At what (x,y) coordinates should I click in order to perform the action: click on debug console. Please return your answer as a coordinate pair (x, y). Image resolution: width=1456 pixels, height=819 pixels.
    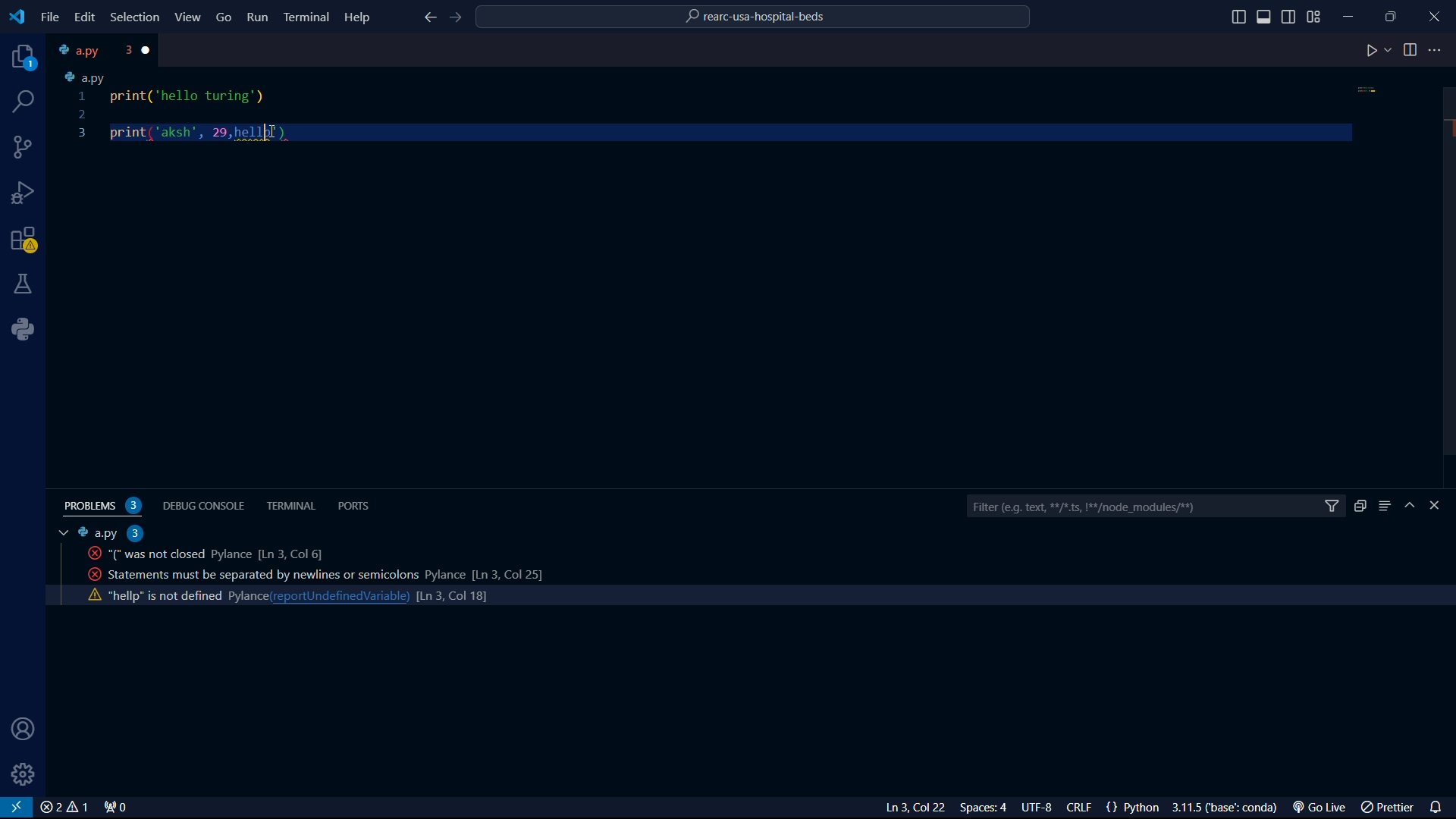
    Looking at the image, I should click on (206, 504).